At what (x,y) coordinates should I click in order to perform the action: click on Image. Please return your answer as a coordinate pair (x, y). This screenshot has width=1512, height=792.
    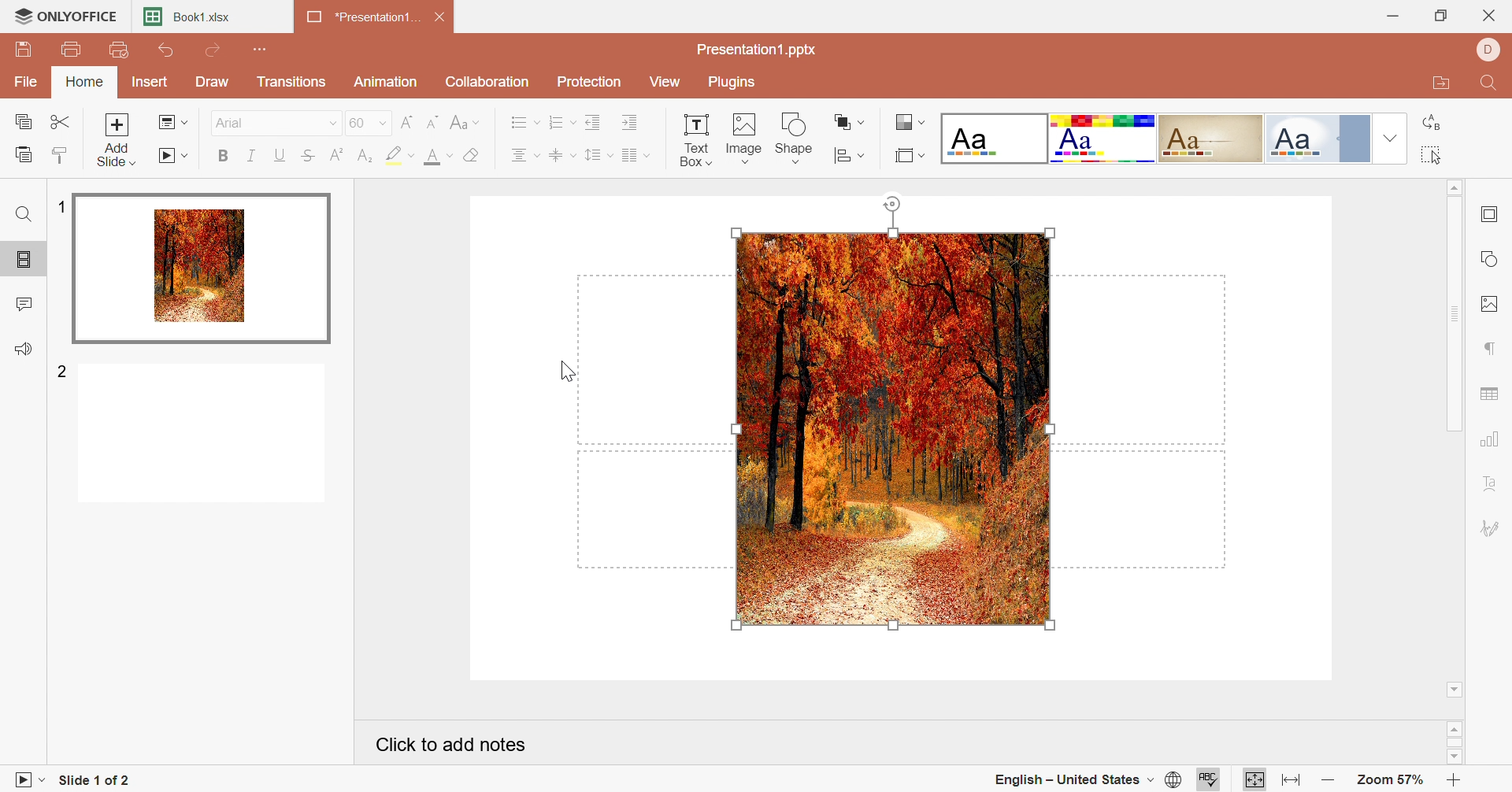
    Looking at the image, I should click on (745, 135).